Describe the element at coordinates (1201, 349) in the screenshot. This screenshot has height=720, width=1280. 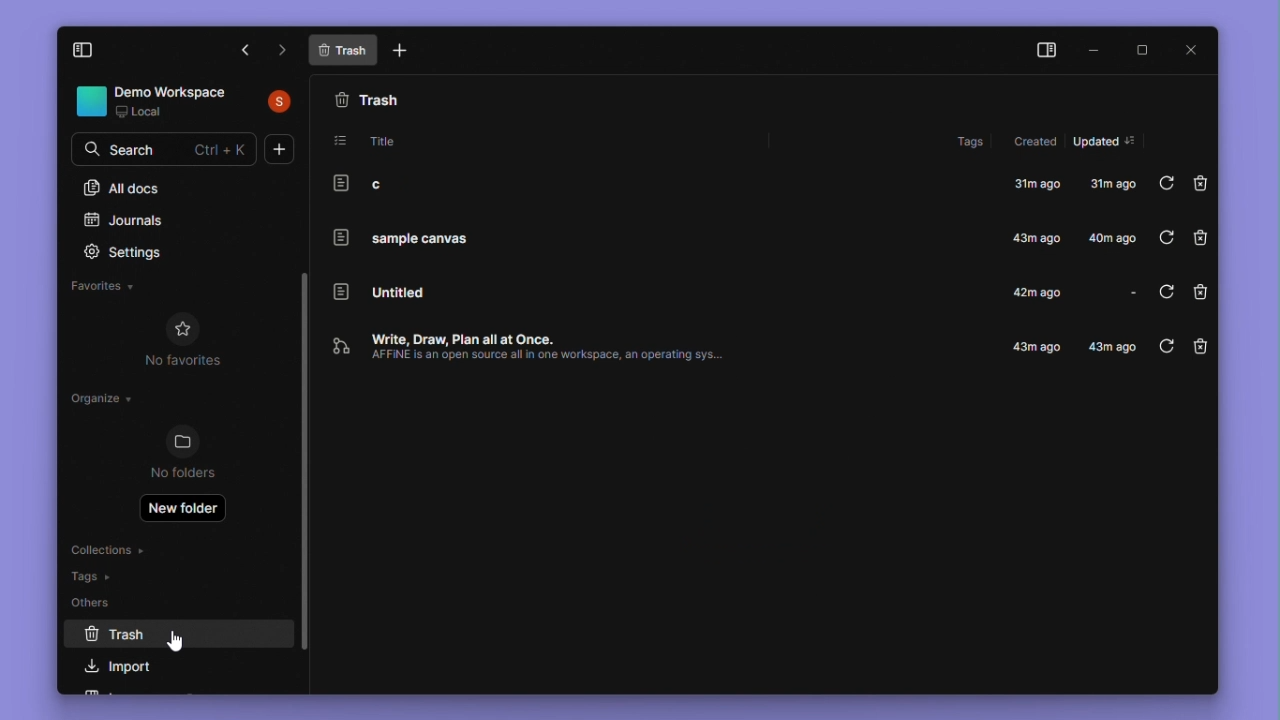
I see `delete forever` at that location.